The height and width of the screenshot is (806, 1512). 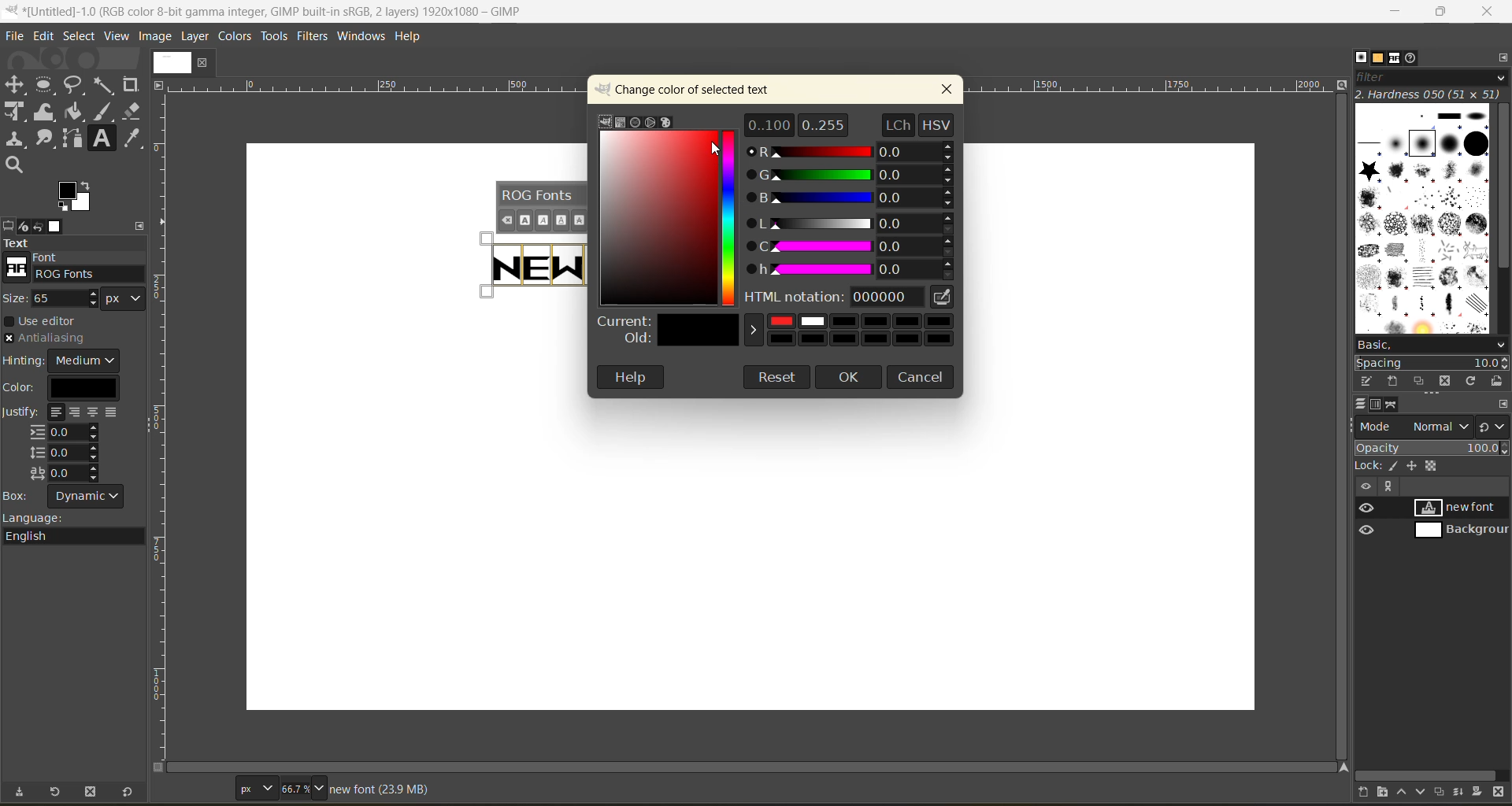 I want to click on cursor, so click(x=720, y=151).